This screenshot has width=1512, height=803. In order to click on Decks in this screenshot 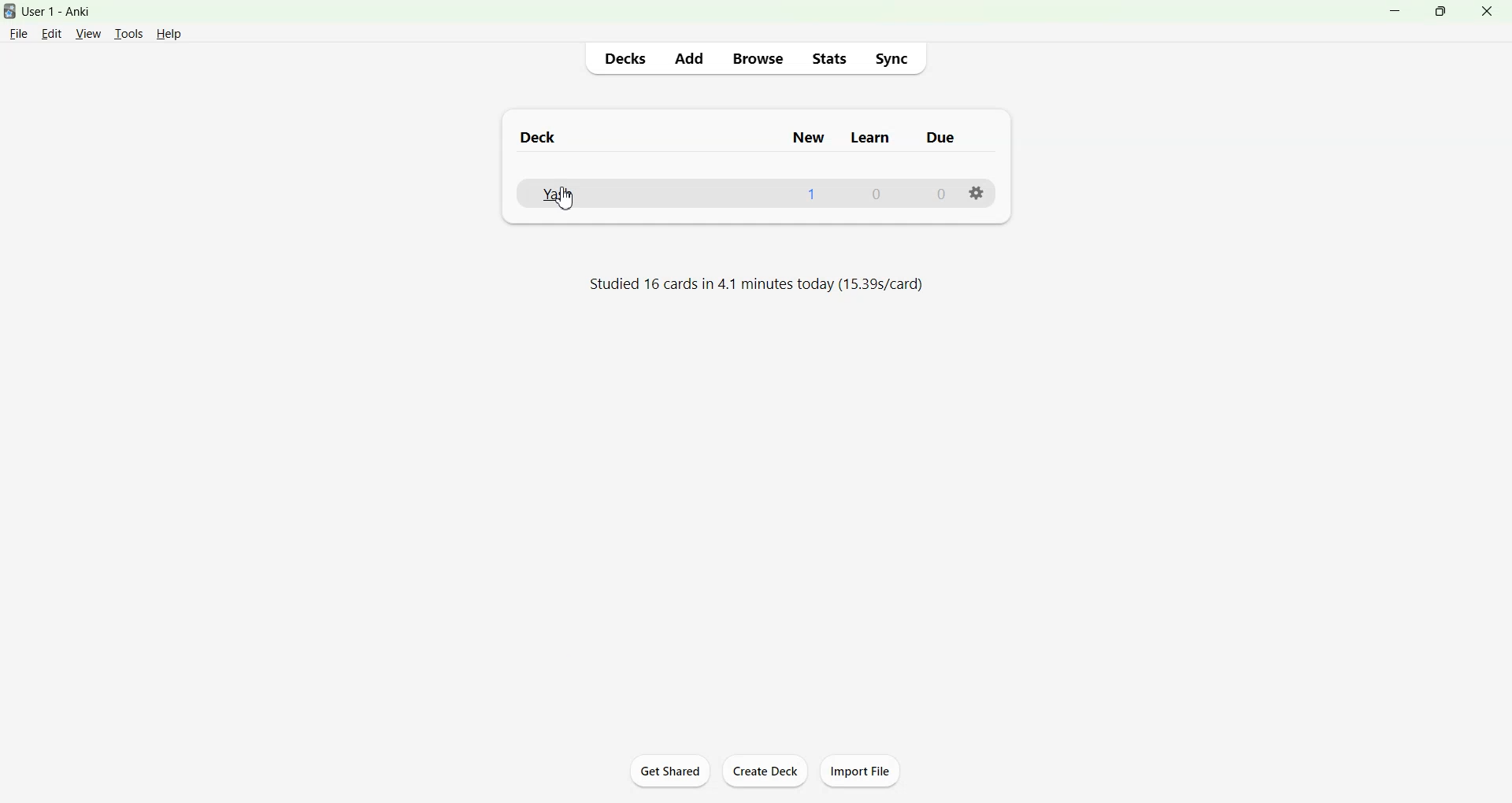, I will do `click(626, 58)`.